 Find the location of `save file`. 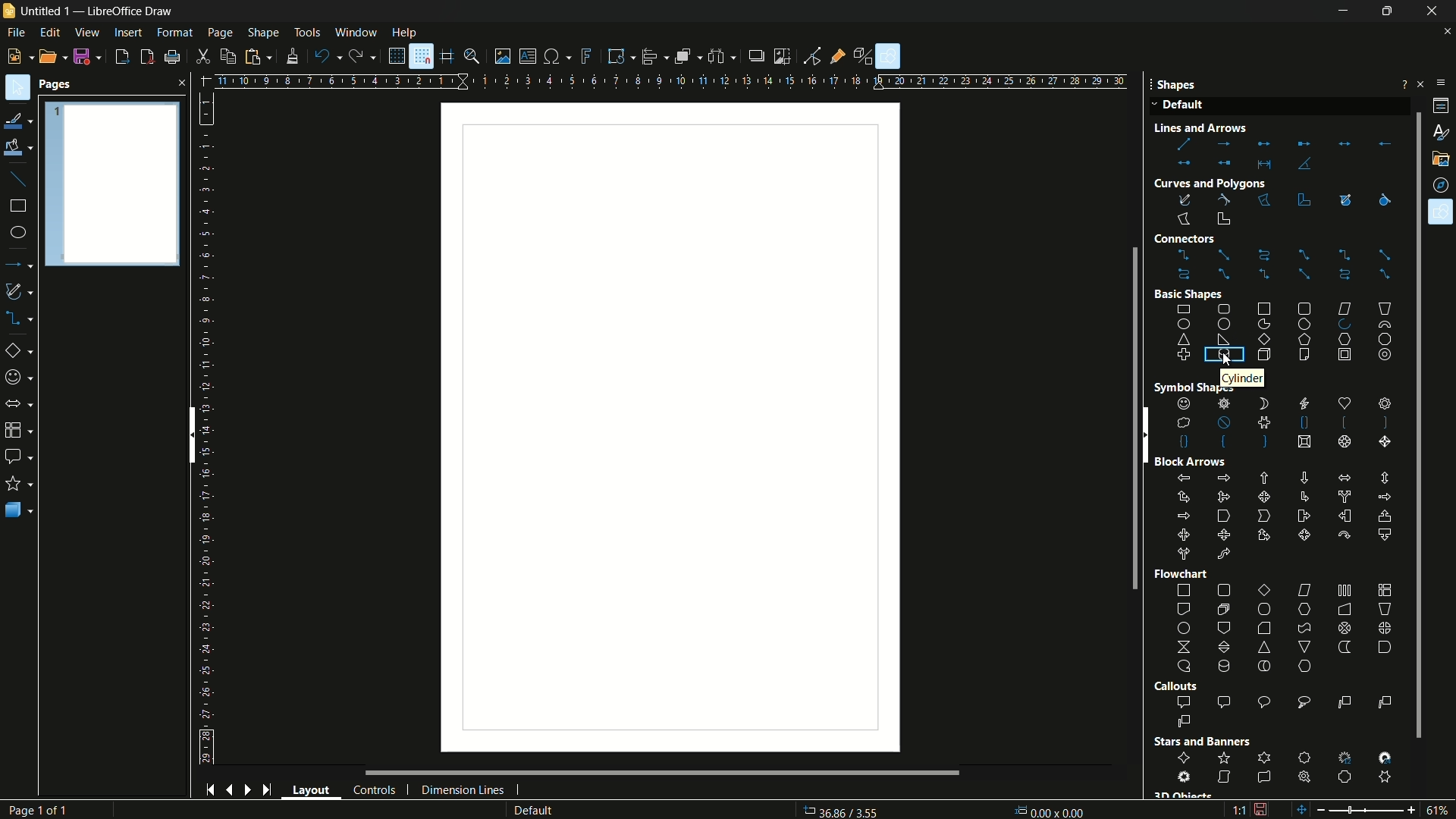

save file is located at coordinates (88, 56).